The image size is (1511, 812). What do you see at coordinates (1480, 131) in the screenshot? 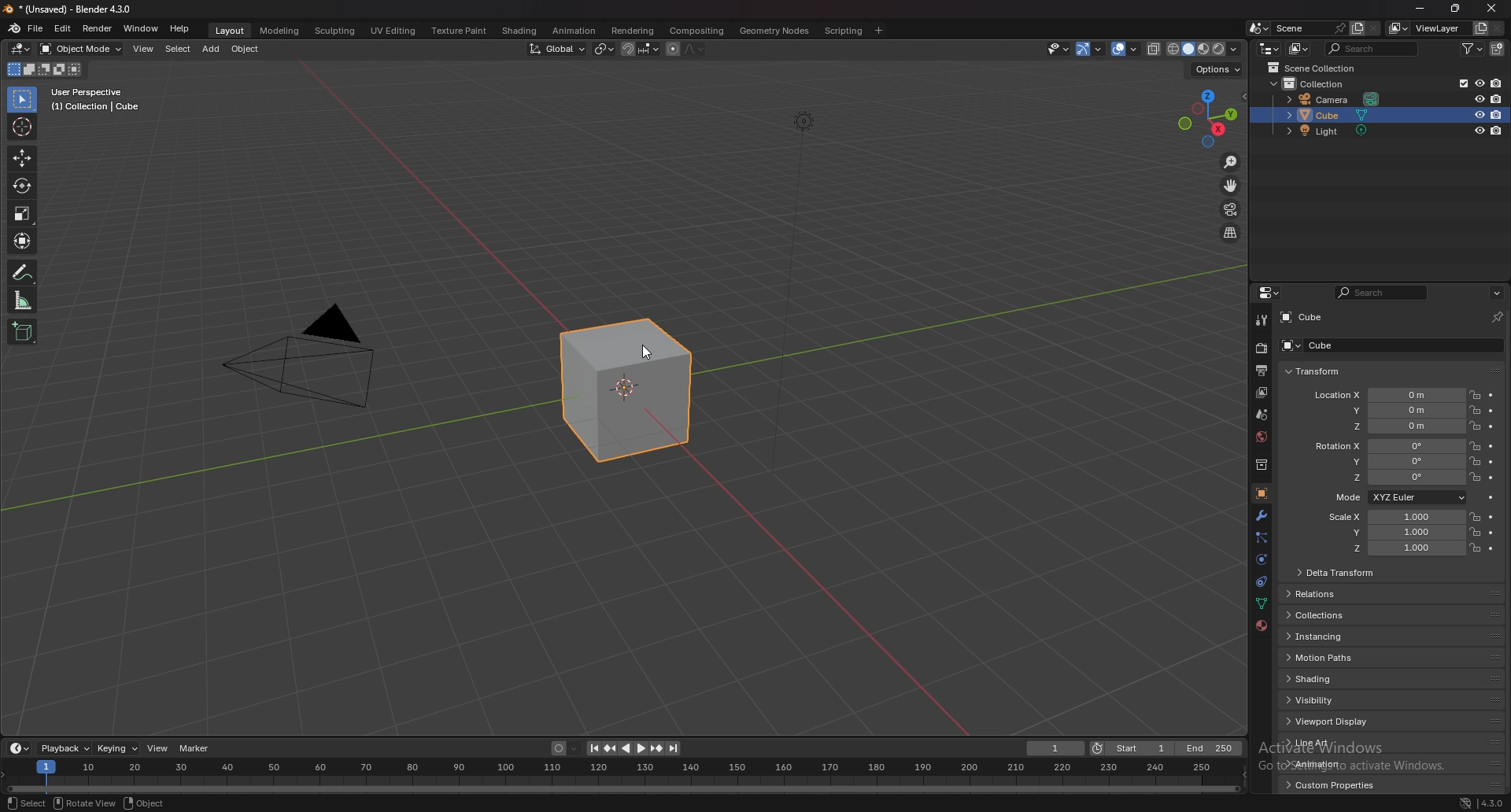
I see `hide in viewport` at bounding box center [1480, 131].